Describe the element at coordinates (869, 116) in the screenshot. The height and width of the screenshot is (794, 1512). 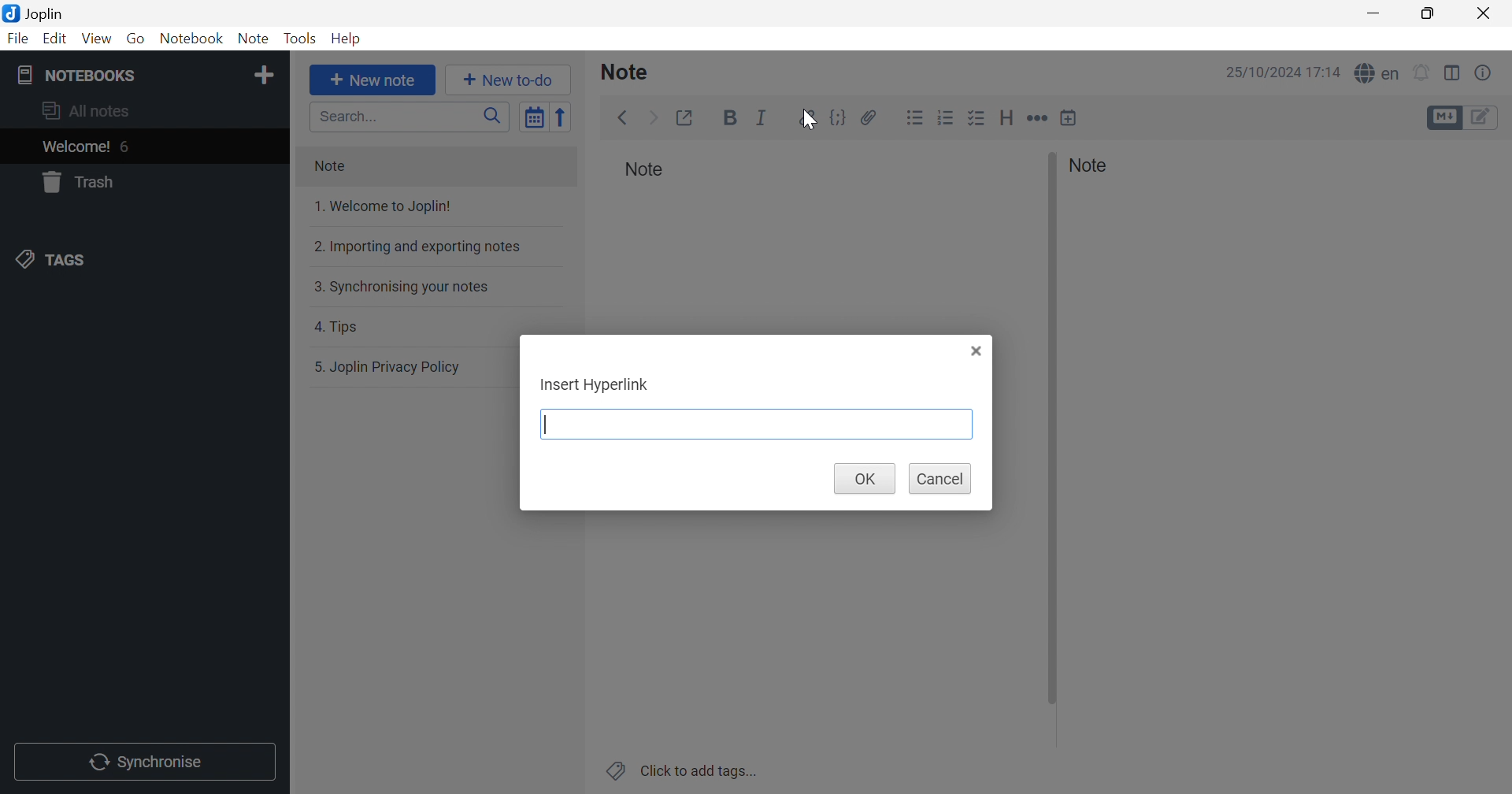
I see `Attach file` at that location.